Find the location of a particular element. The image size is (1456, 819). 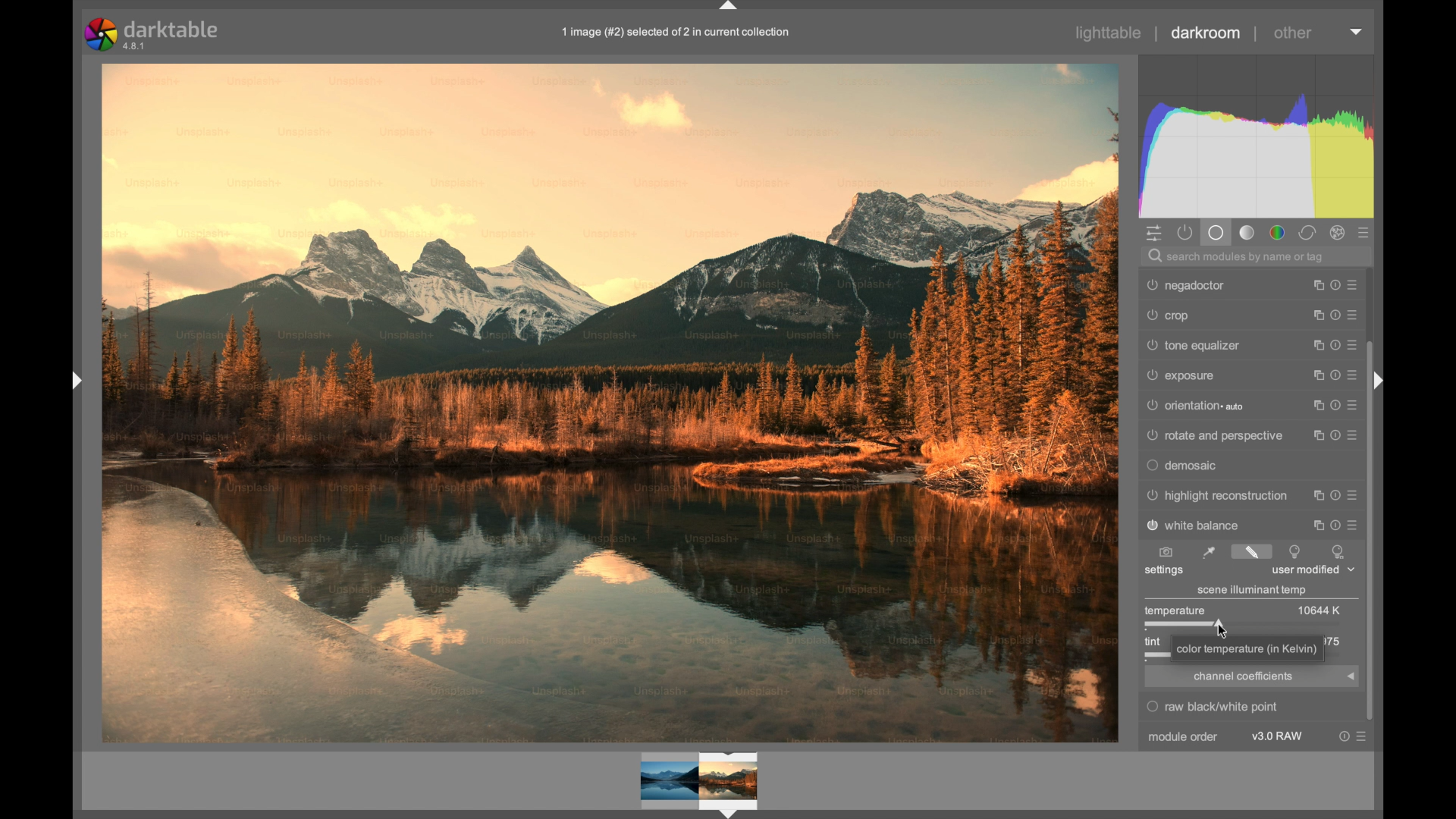

effect is located at coordinates (1338, 232).